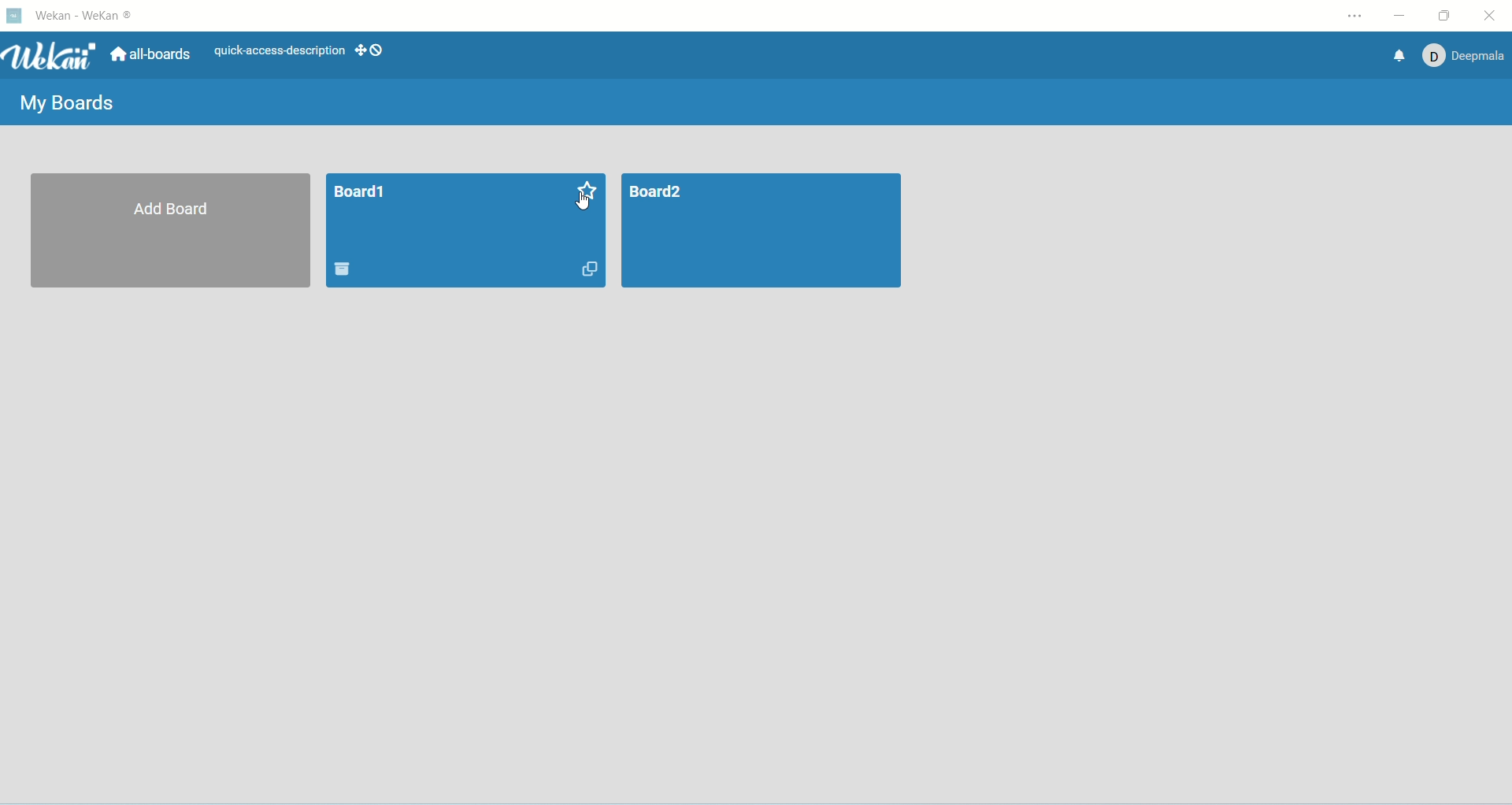  What do you see at coordinates (14, 15) in the screenshot?
I see `logo` at bounding box center [14, 15].